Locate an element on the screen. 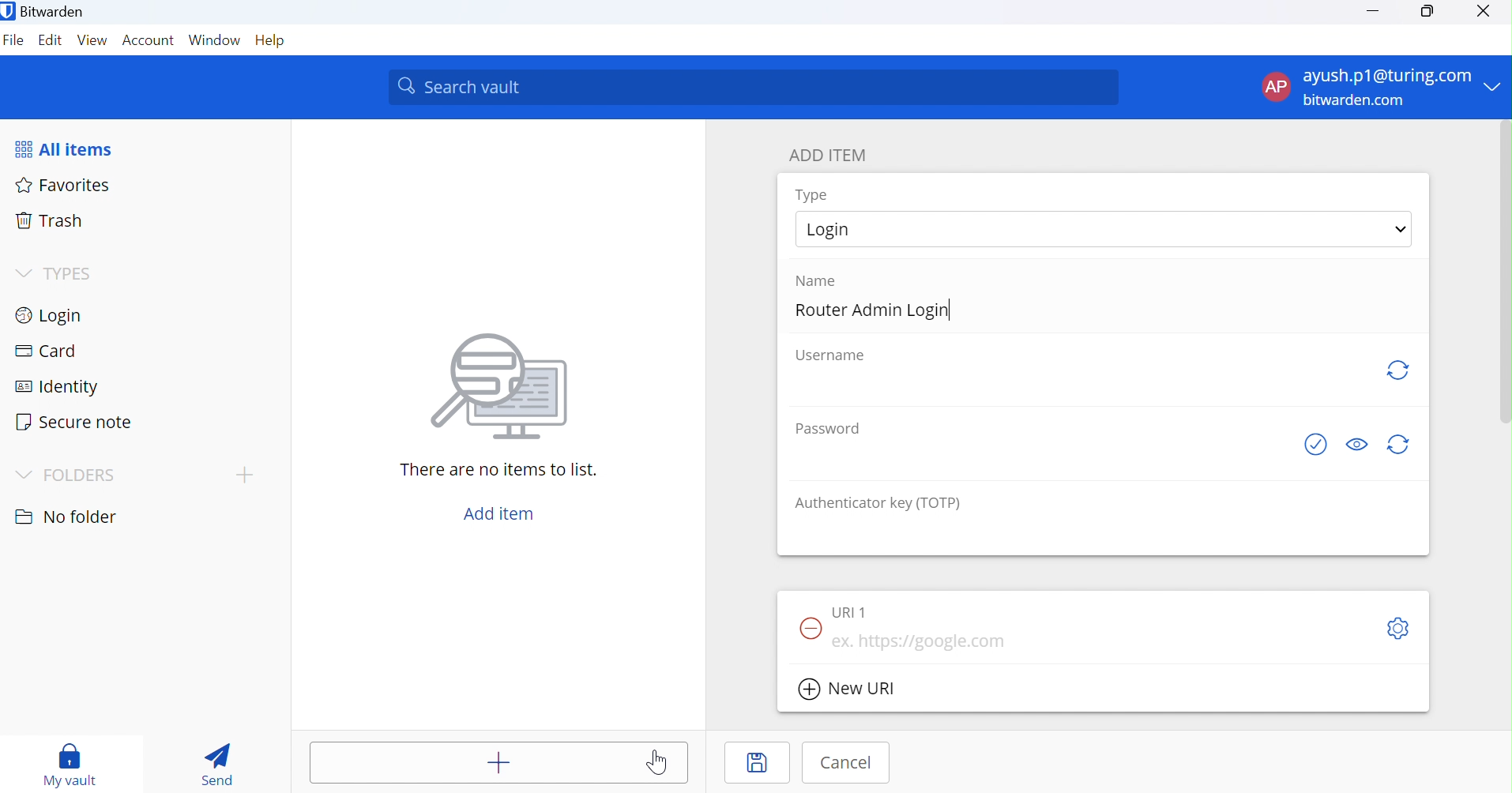 Image resolution: width=1512 pixels, height=793 pixels. Help is located at coordinates (273, 41).